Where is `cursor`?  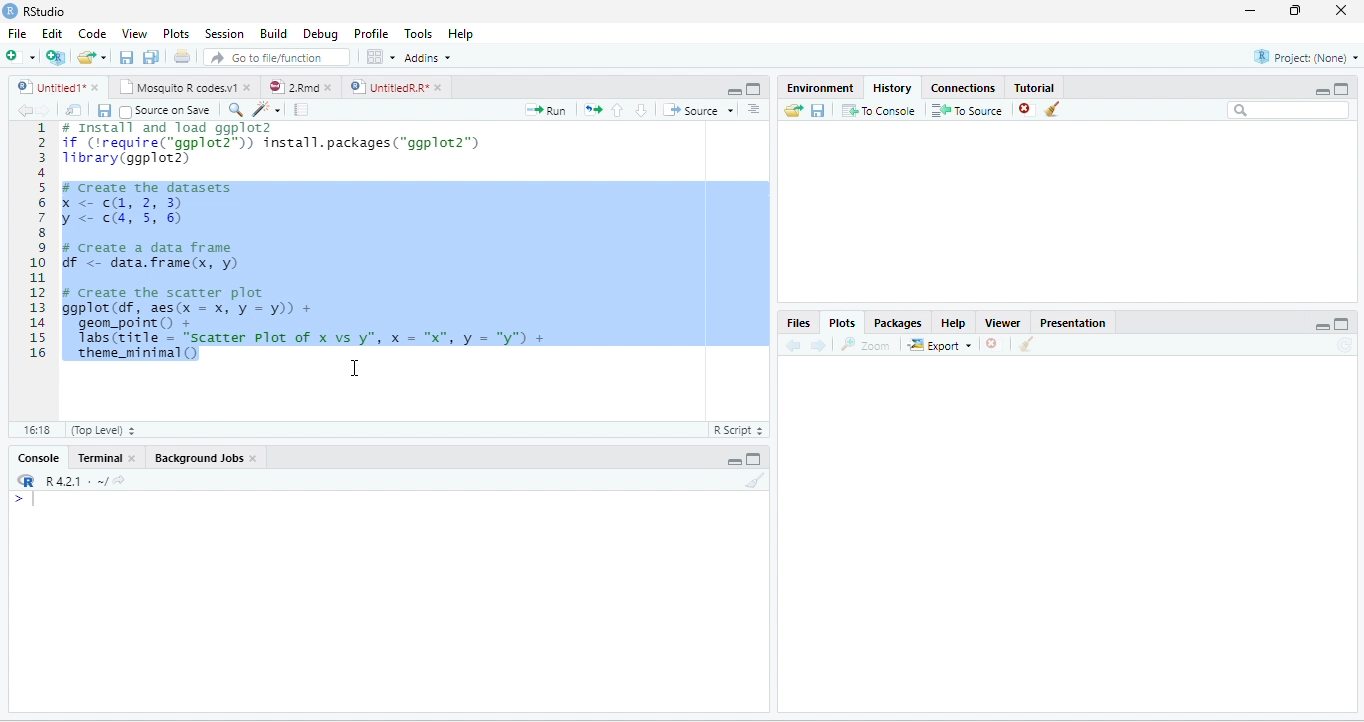 cursor is located at coordinates (354, 366).